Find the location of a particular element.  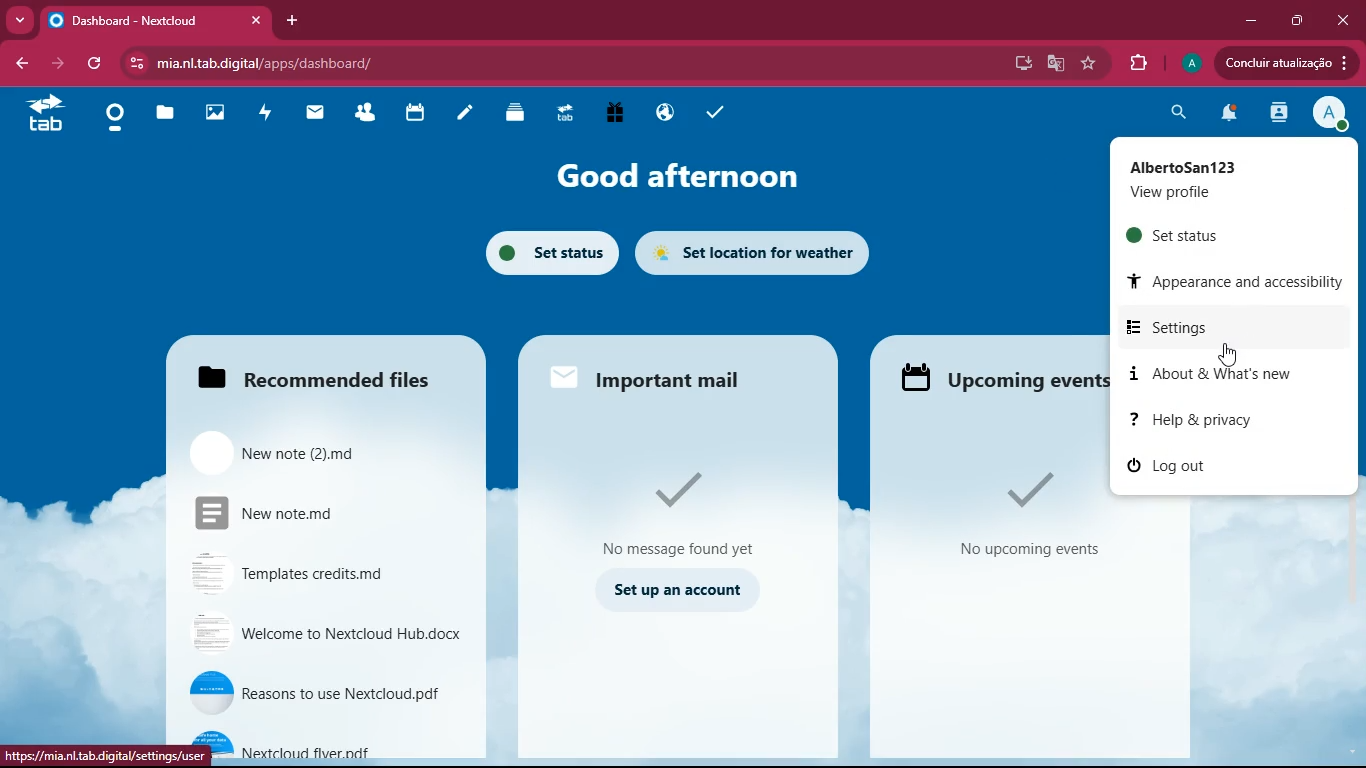

New note.md is located at coordinates (308, 519).